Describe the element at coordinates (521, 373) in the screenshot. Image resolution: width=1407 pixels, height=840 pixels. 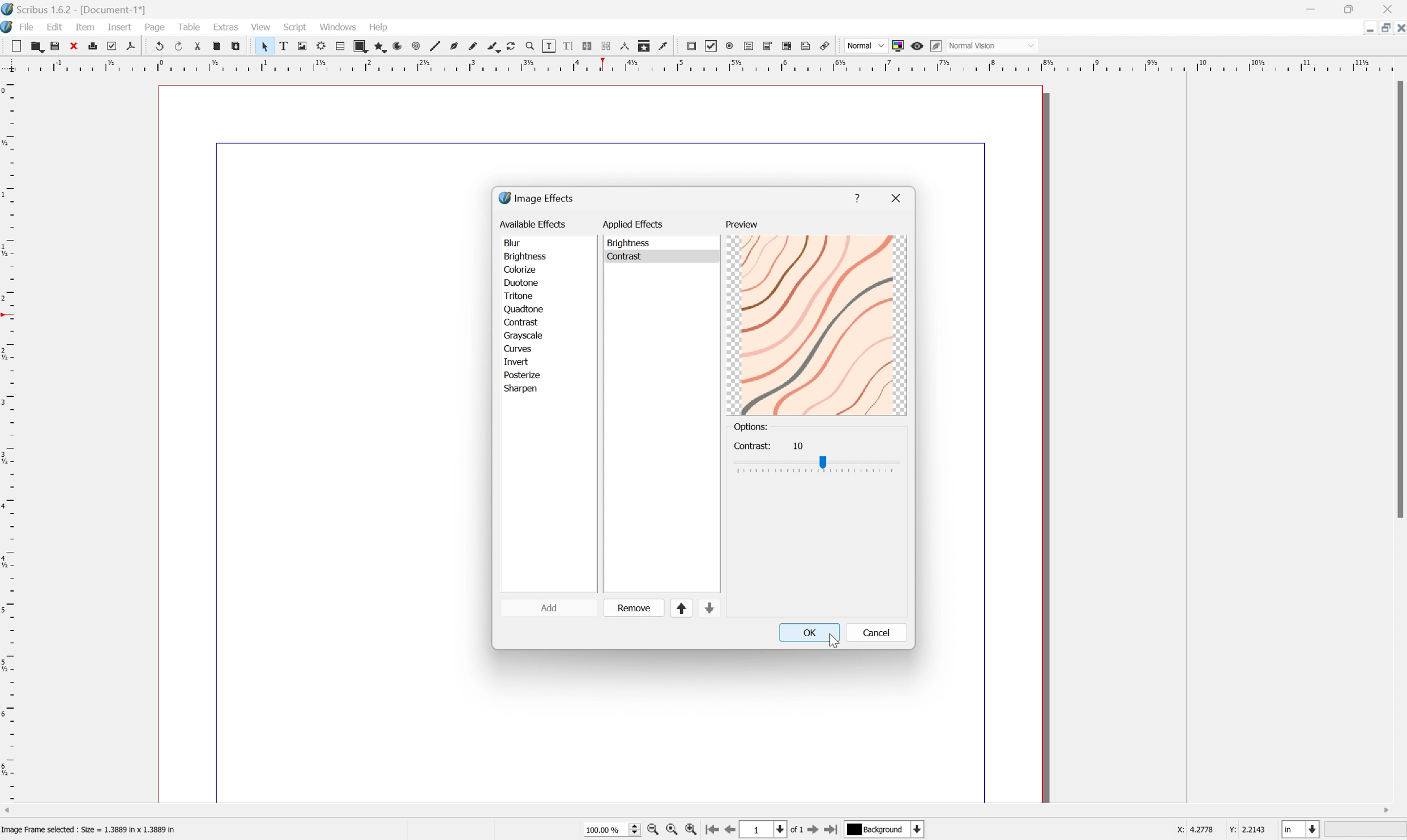
I see `posterize` at that location.